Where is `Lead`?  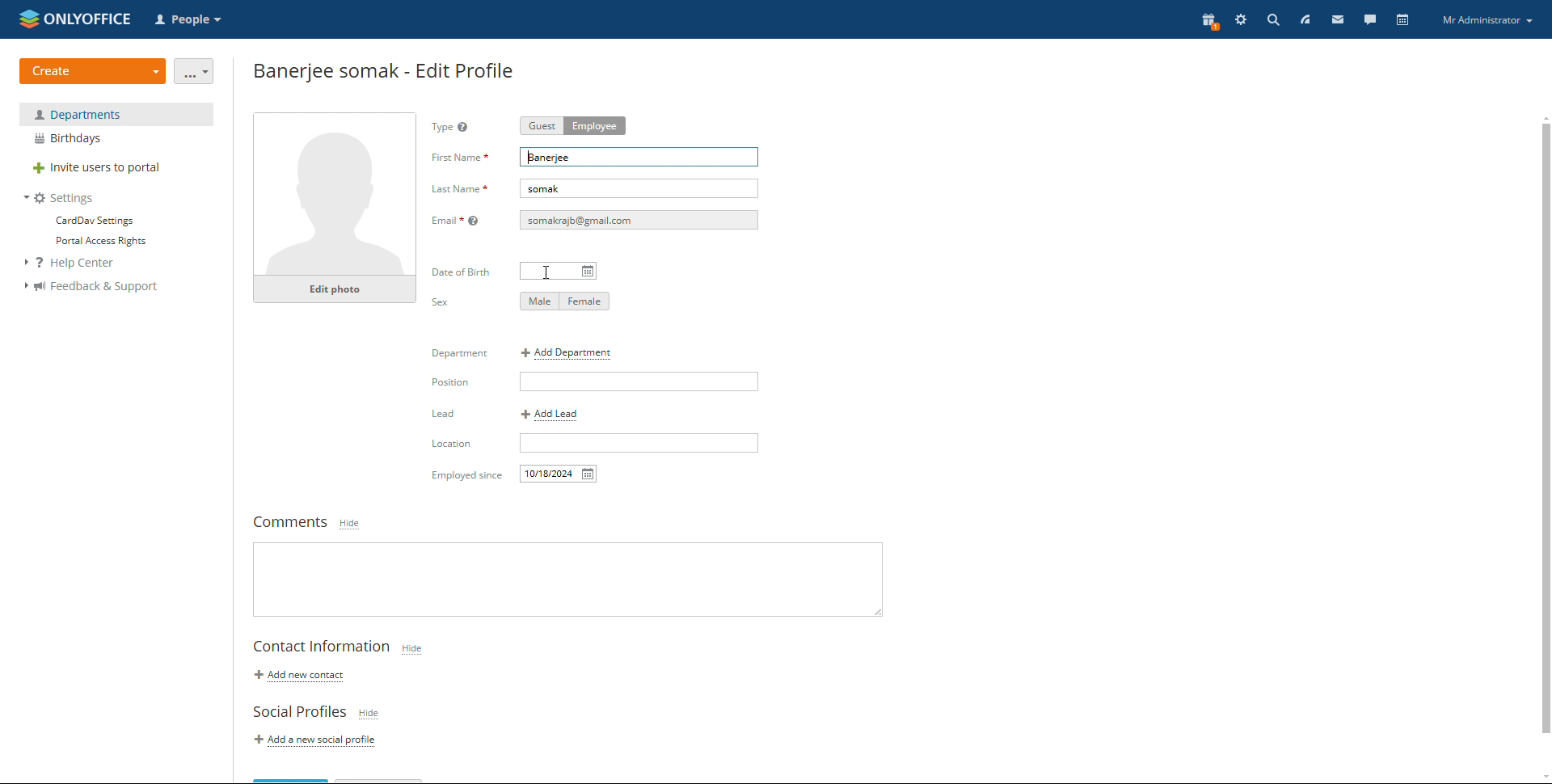
Lead is located at coordinates (443, 415).